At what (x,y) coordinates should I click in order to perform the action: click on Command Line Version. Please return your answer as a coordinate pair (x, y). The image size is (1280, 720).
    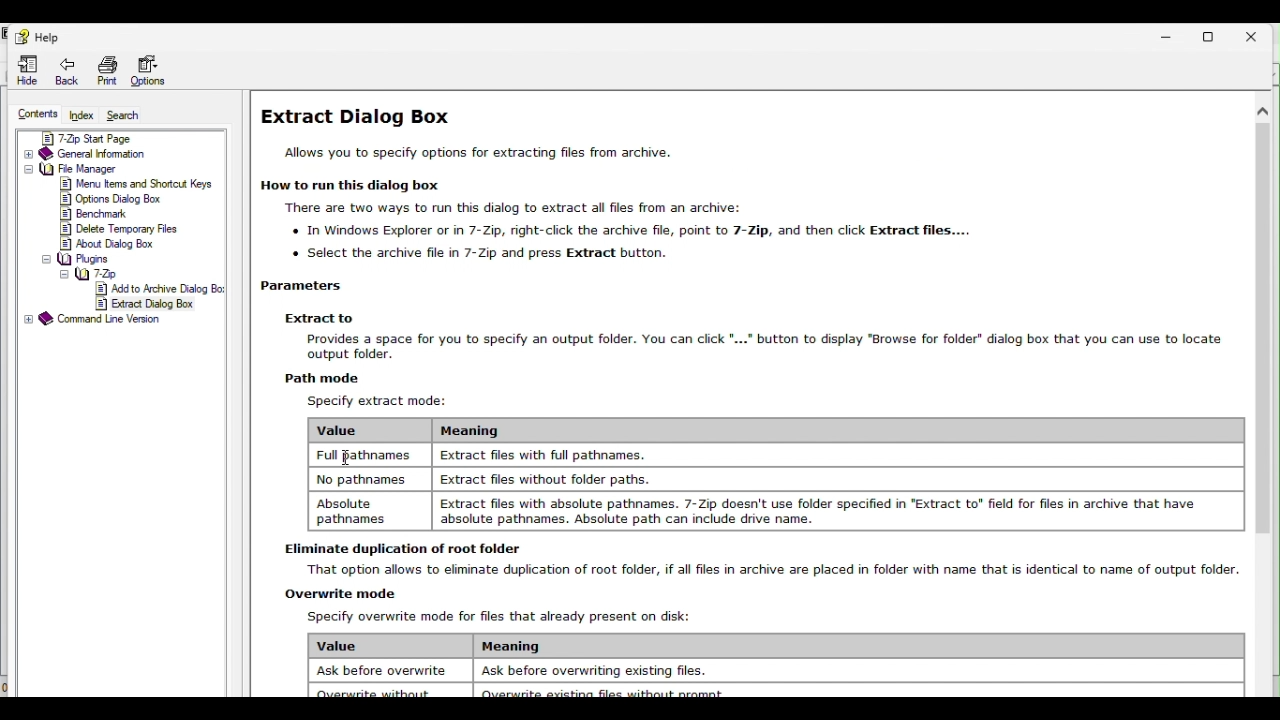
    Looking at the image, I should click on (115, 319).